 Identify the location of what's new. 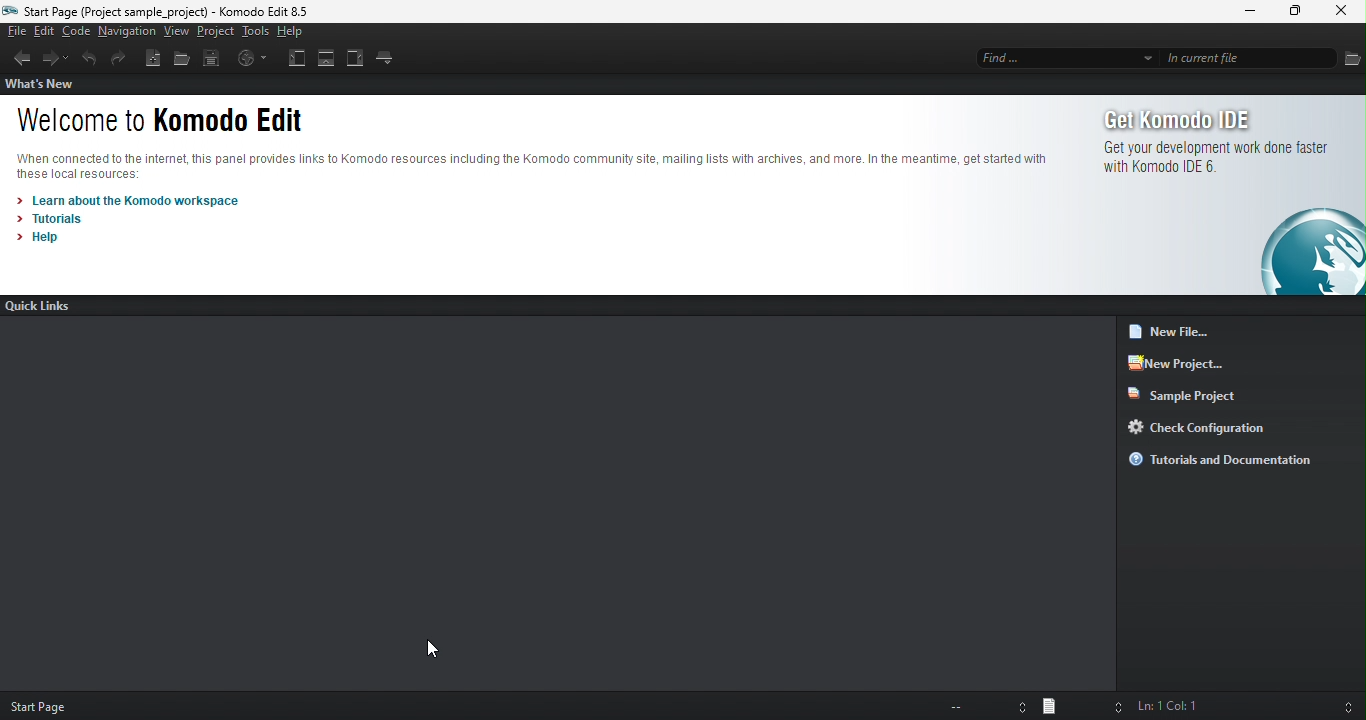
(44, 81).